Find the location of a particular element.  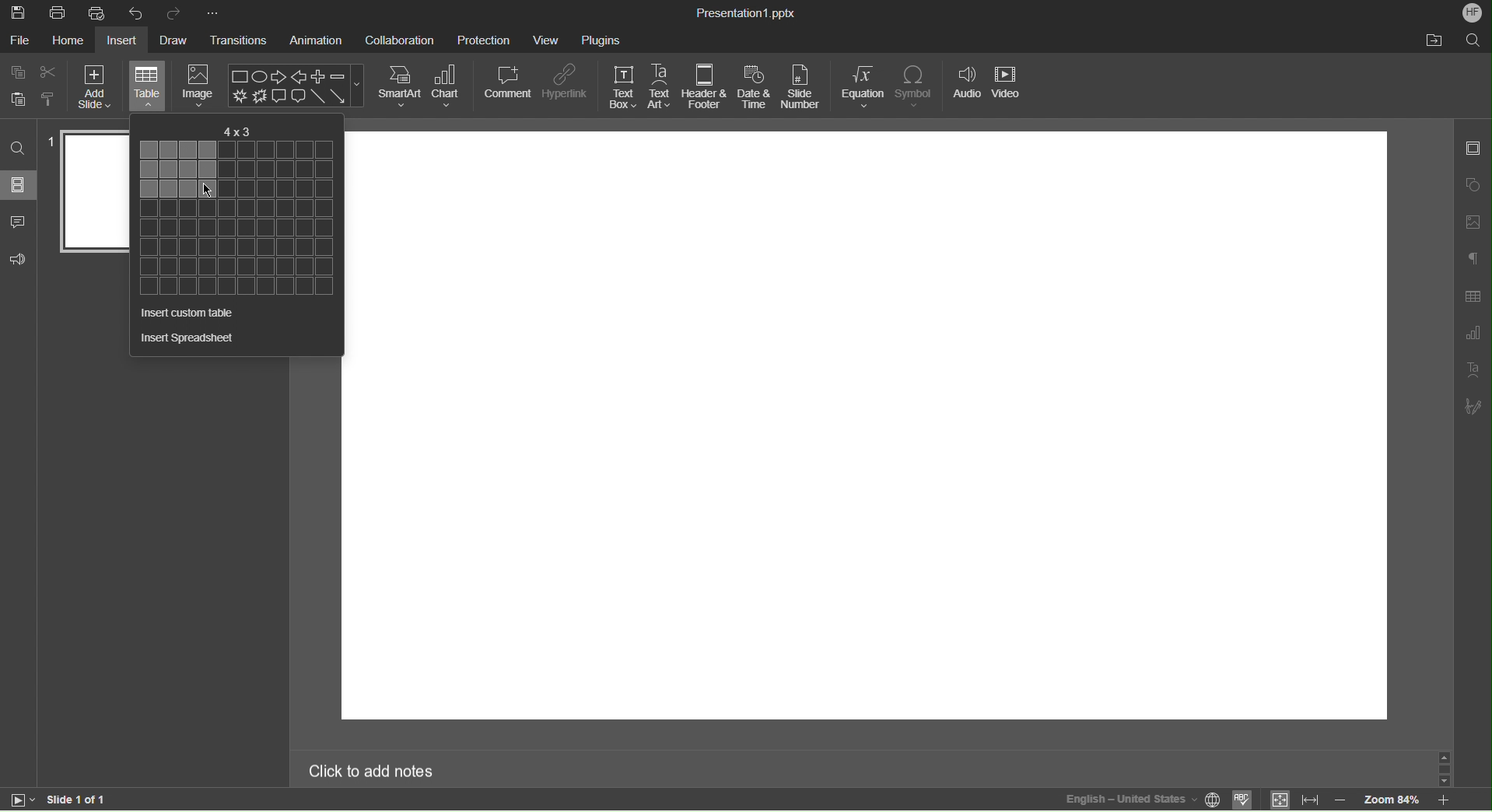

Presentation1 is located at coordinates (742, 11).